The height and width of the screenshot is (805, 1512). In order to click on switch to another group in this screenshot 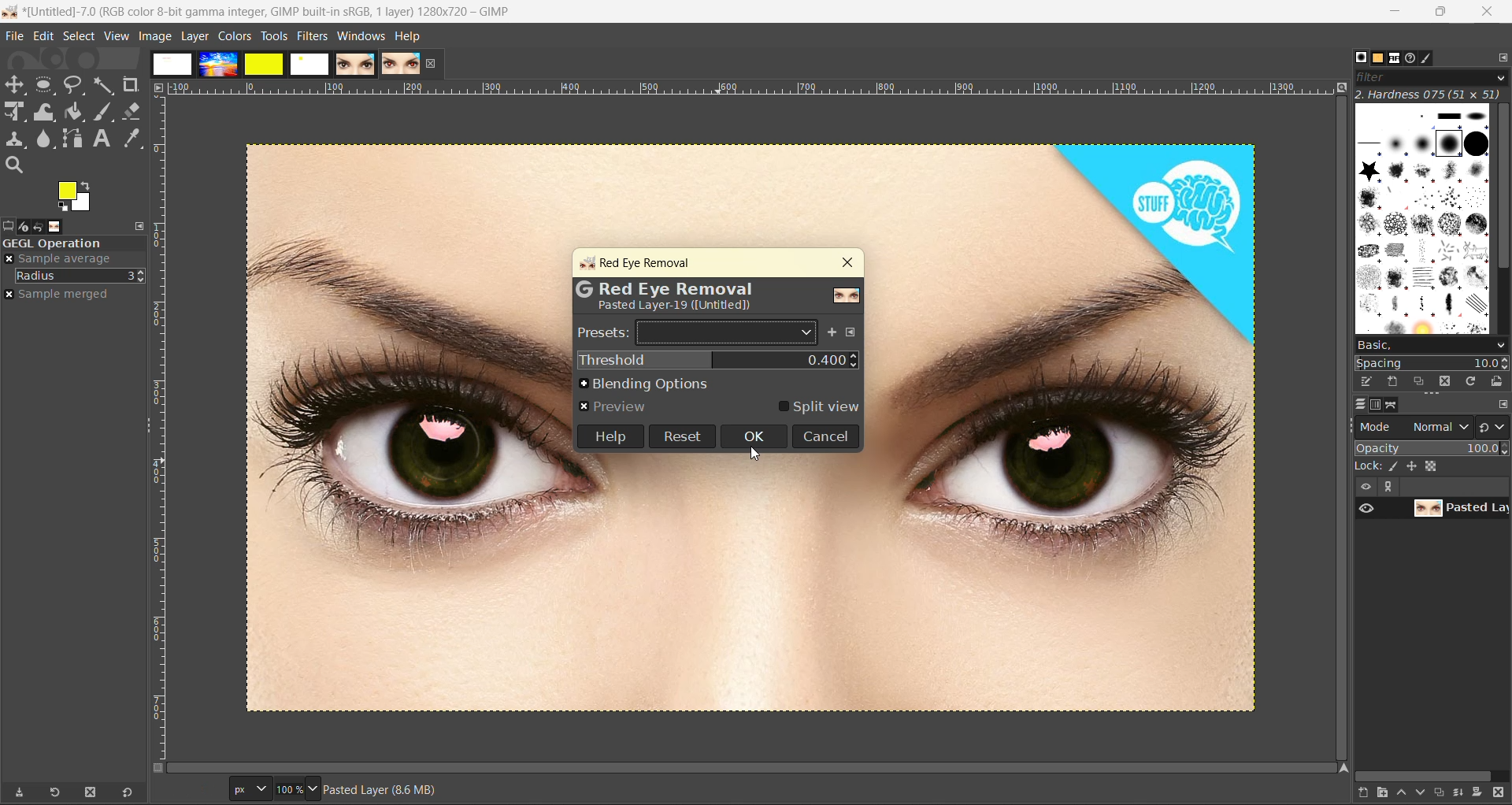, I will do `click(1493, 425)`.